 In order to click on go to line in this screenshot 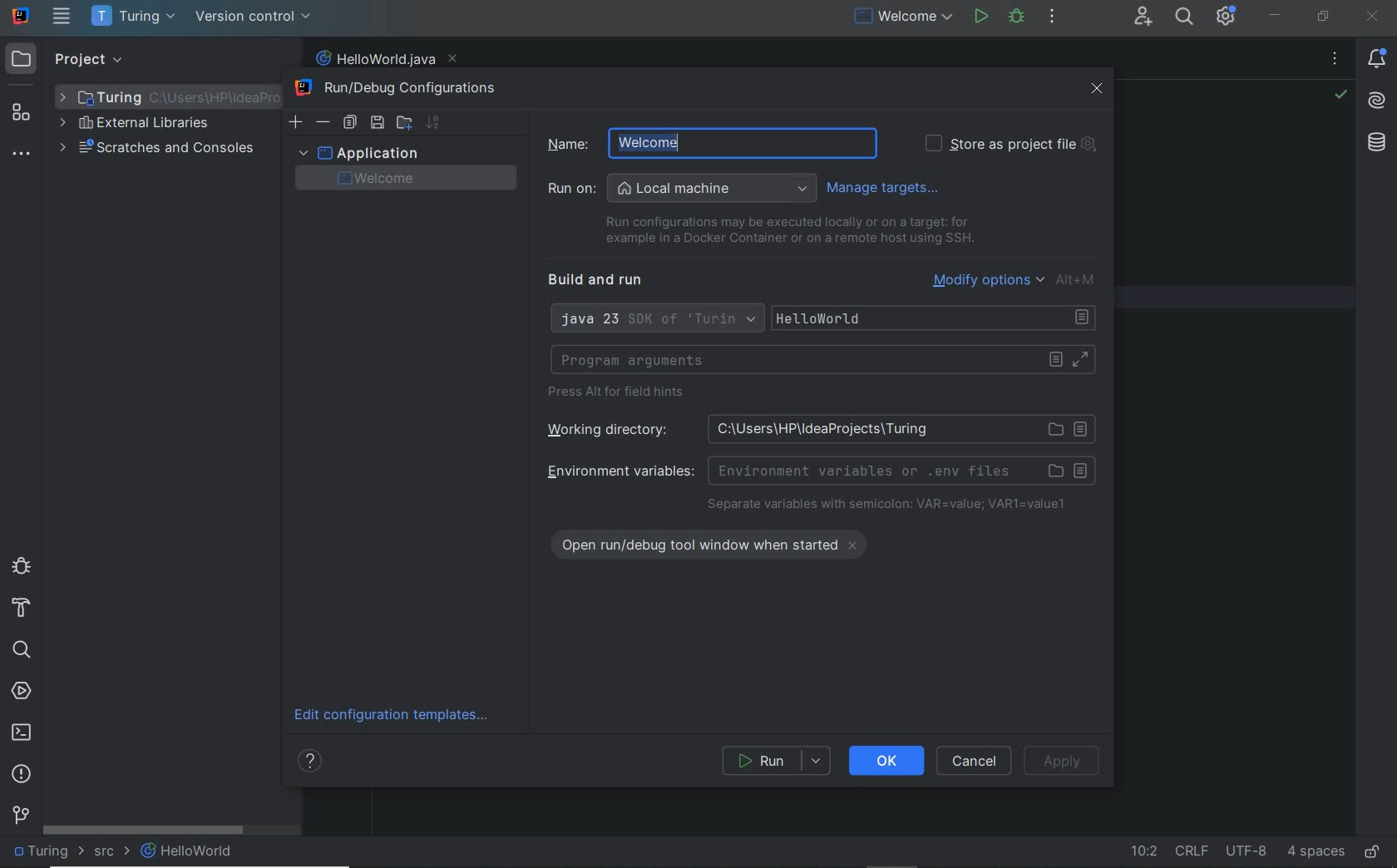, I will do `click(1143, 853)`.